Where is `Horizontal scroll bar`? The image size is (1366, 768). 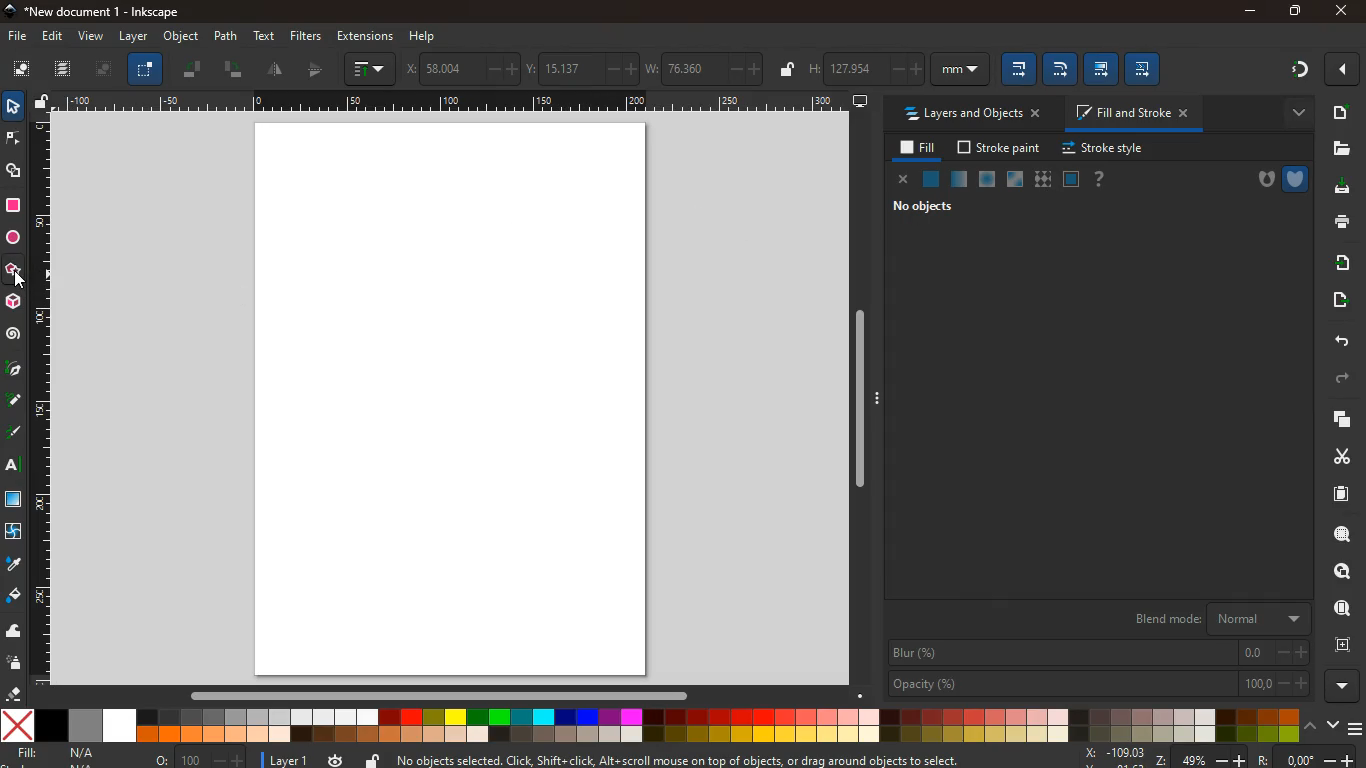 Horizontal scroll bar is located at coordinates (450, 699).